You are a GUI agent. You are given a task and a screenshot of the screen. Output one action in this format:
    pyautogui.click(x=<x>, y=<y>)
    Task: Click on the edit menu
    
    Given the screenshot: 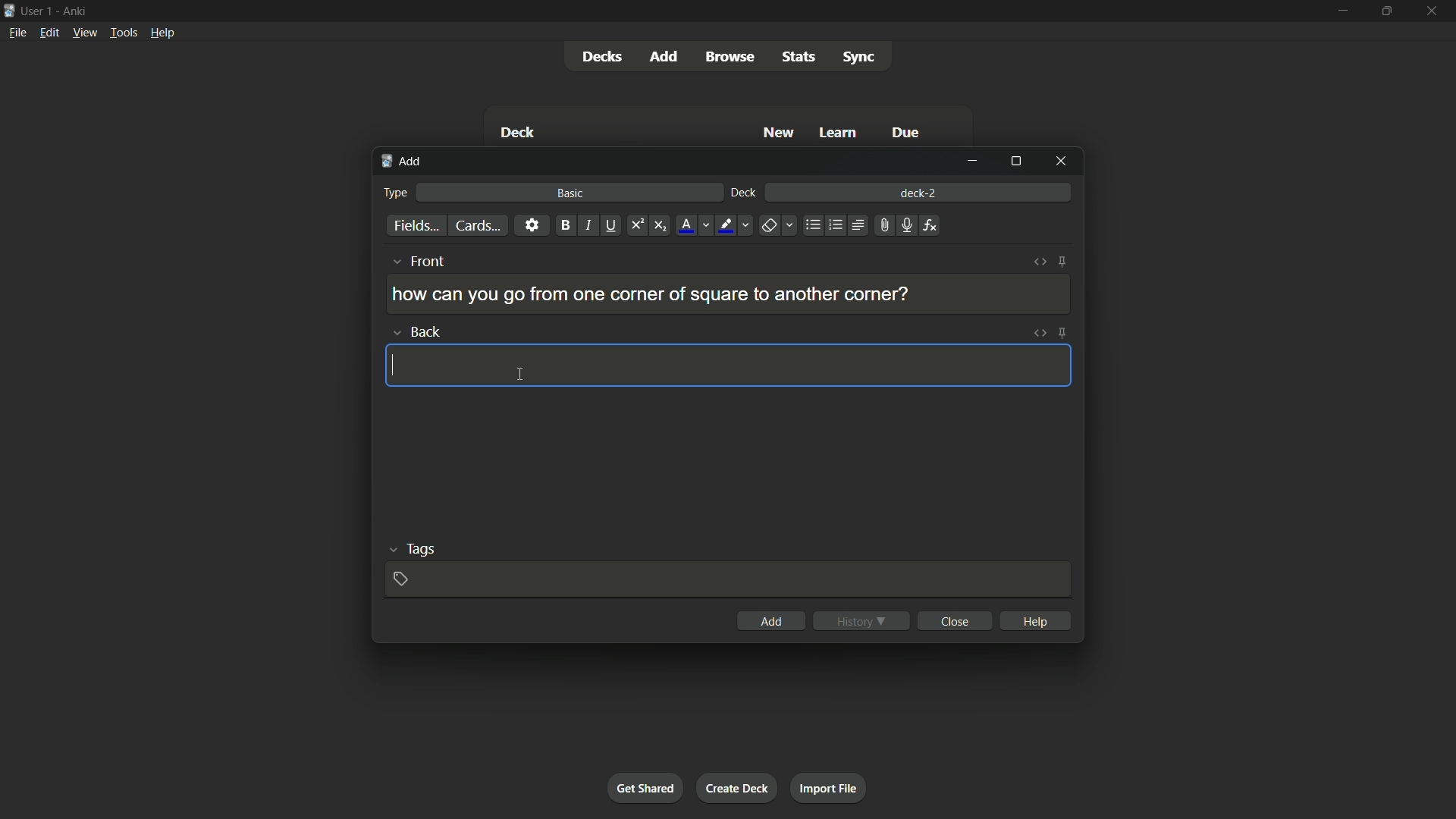 What is the action you would take?
    pyautogui.click(x=47, y=32)
    